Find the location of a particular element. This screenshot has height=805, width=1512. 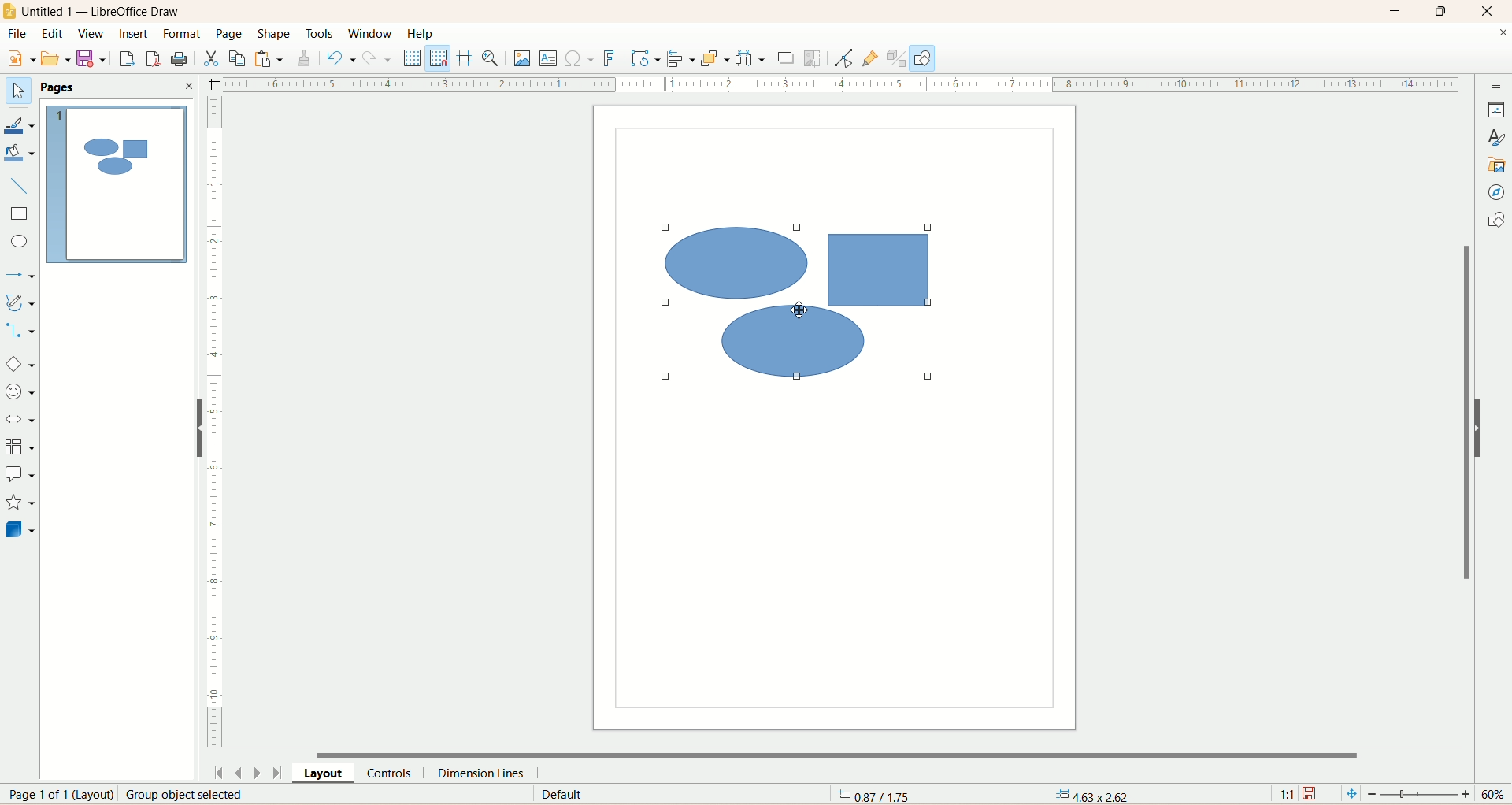

edit is located at coordinates (54, 35).